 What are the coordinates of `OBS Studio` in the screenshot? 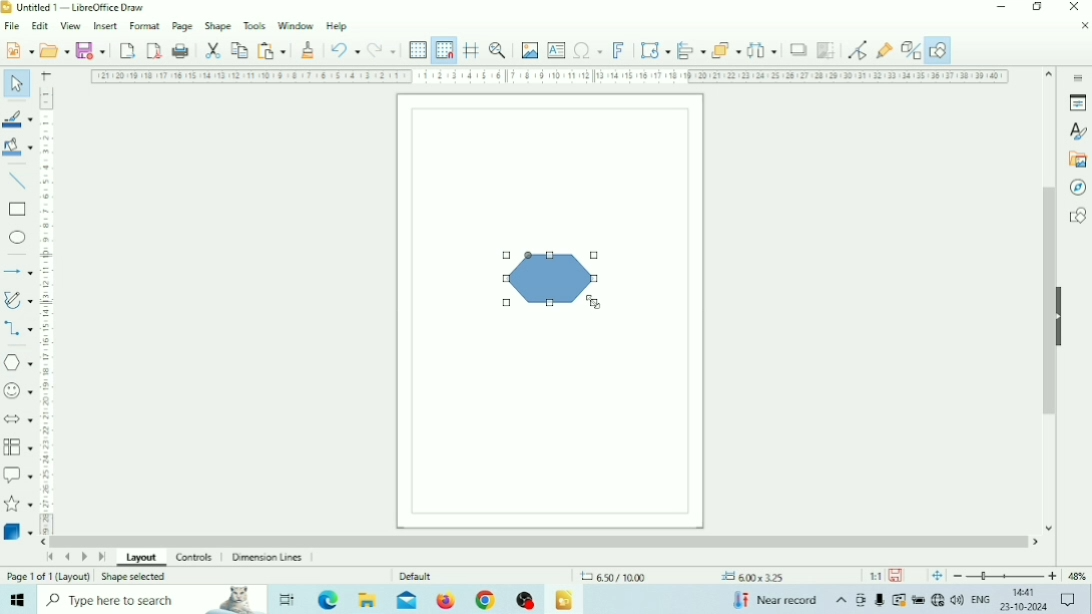 It's located at (525, 600).